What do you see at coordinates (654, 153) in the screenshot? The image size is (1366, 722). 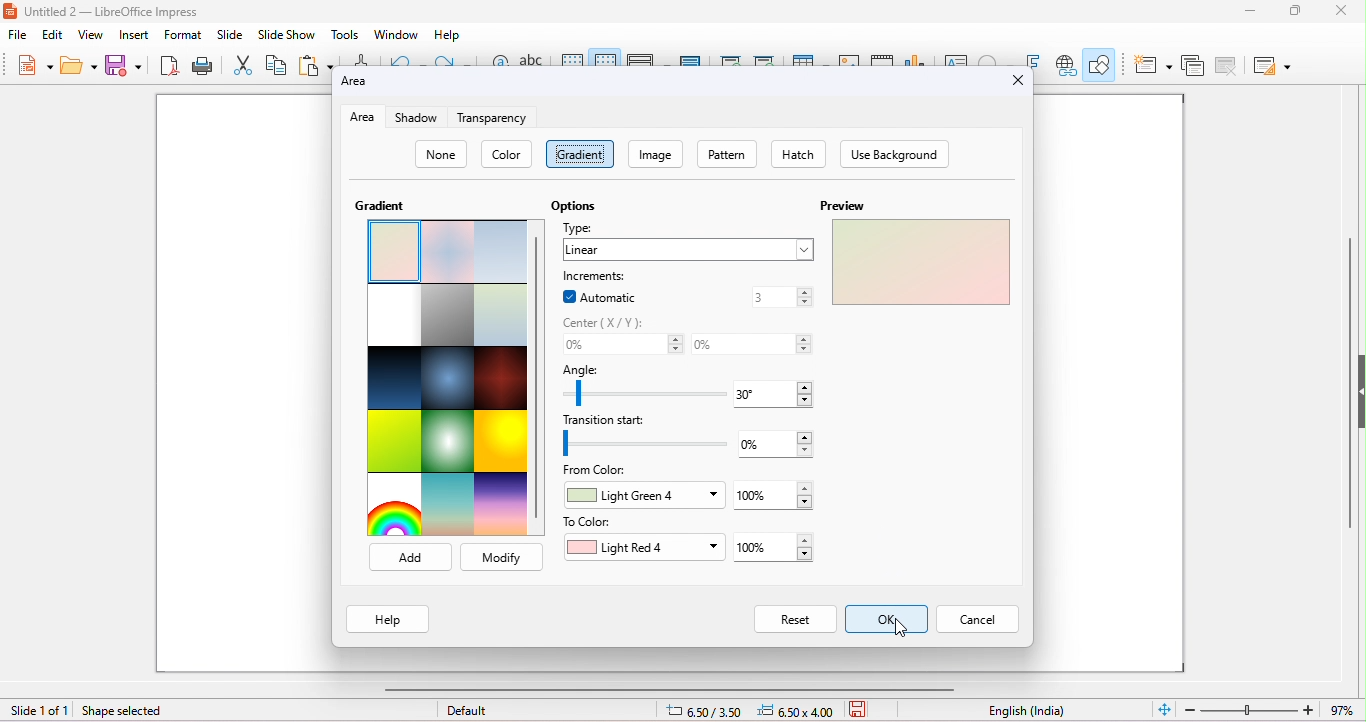 I see `image` at bounding box center [654, 153].